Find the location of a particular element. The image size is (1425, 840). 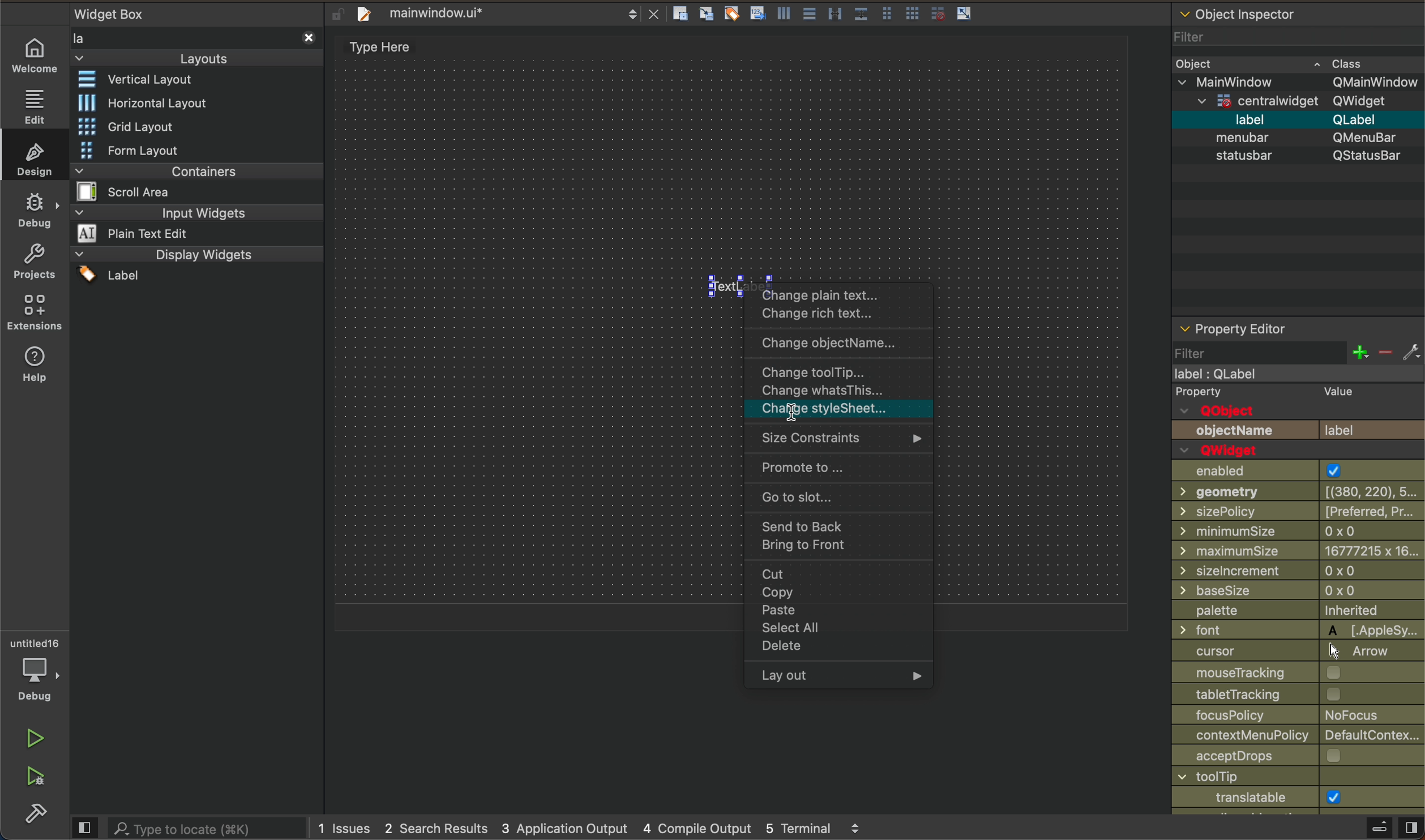

palette is located at coordinates (1290, 611).